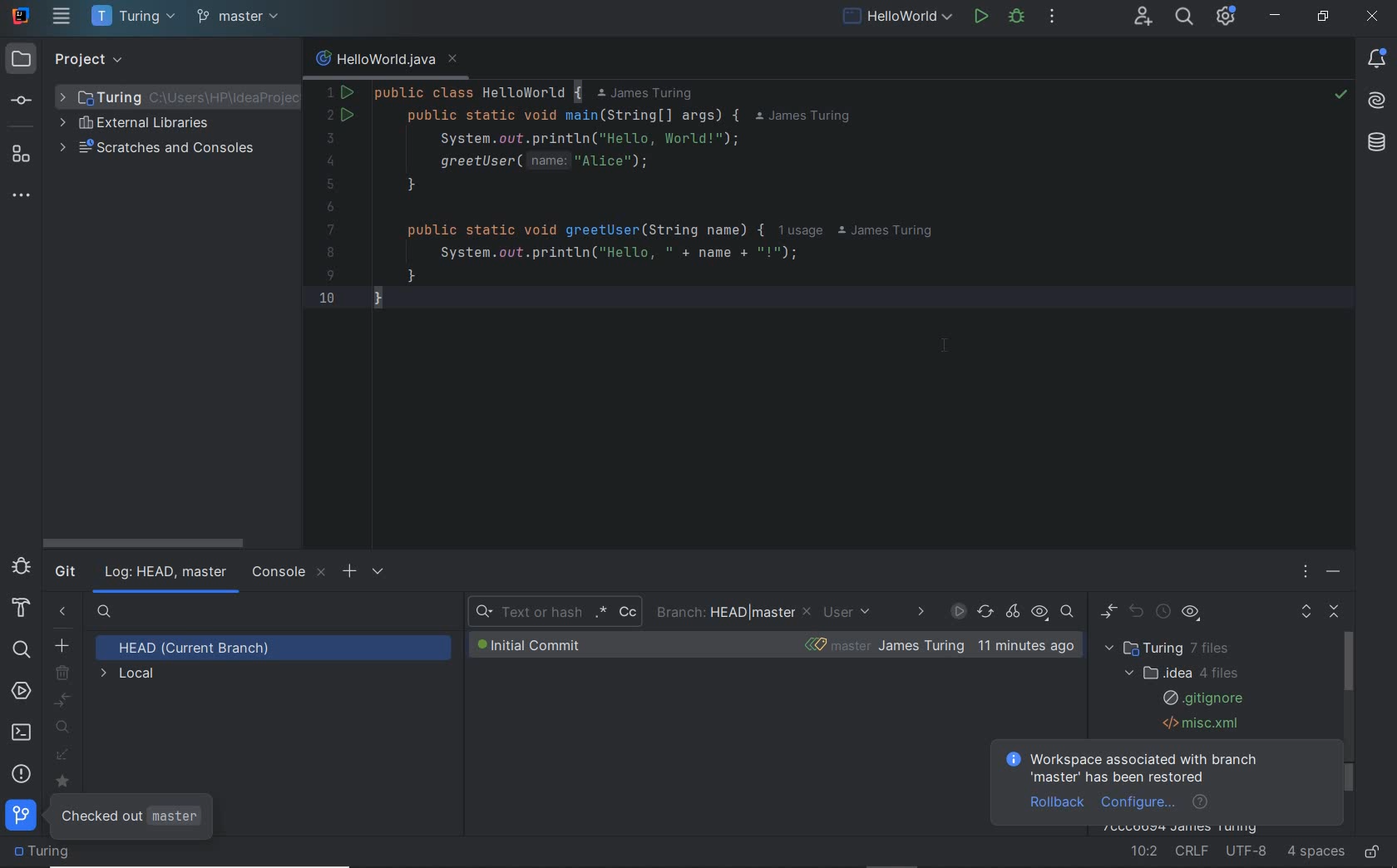 The width and height of the screenshot is (1397, 868). What do you see at coordinates (734, 613) in the screenshot?
I see `BRANCH` at bounding box center [734, 613].